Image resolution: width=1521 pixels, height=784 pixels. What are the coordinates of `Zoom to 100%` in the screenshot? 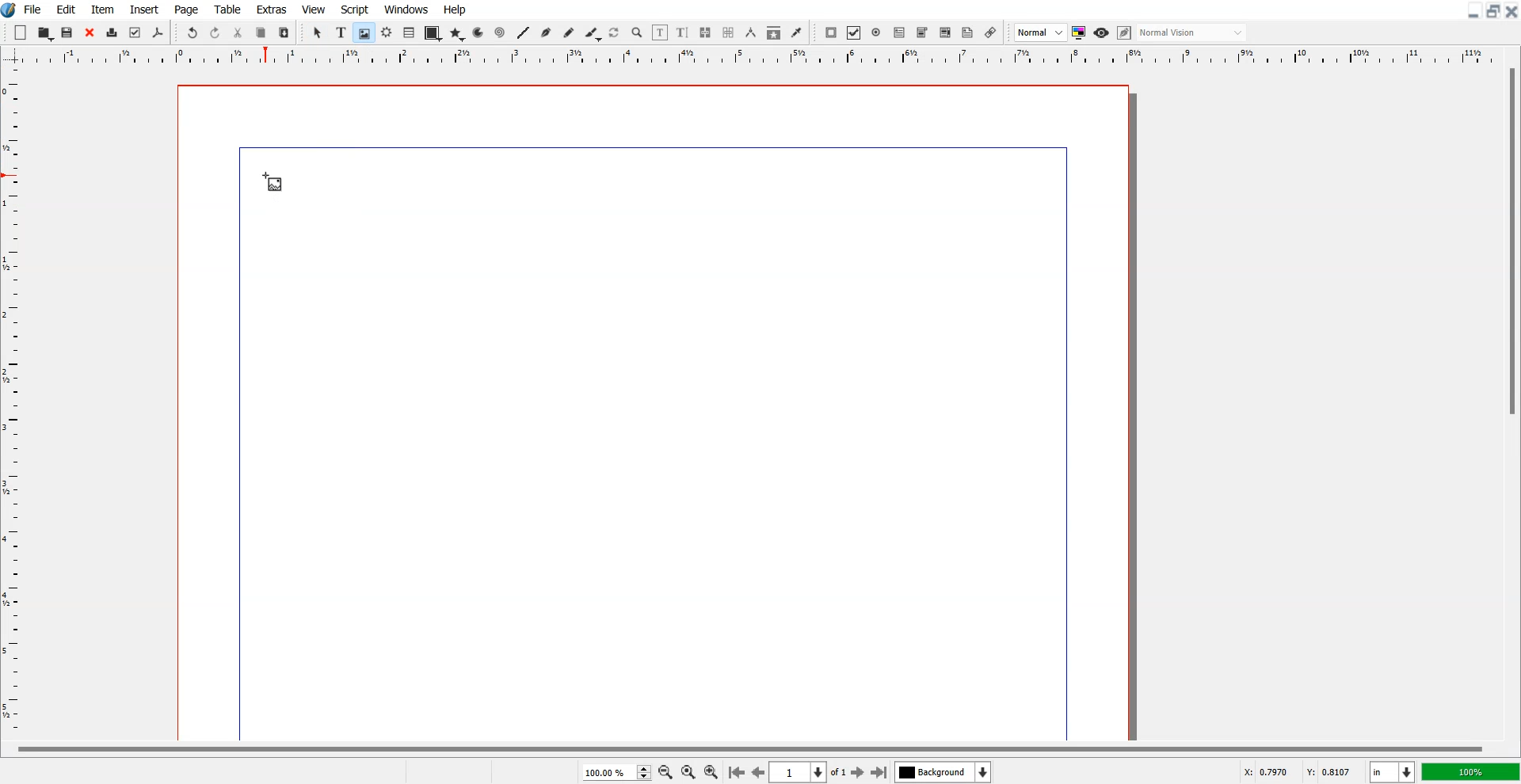 It's located at (688, 771).